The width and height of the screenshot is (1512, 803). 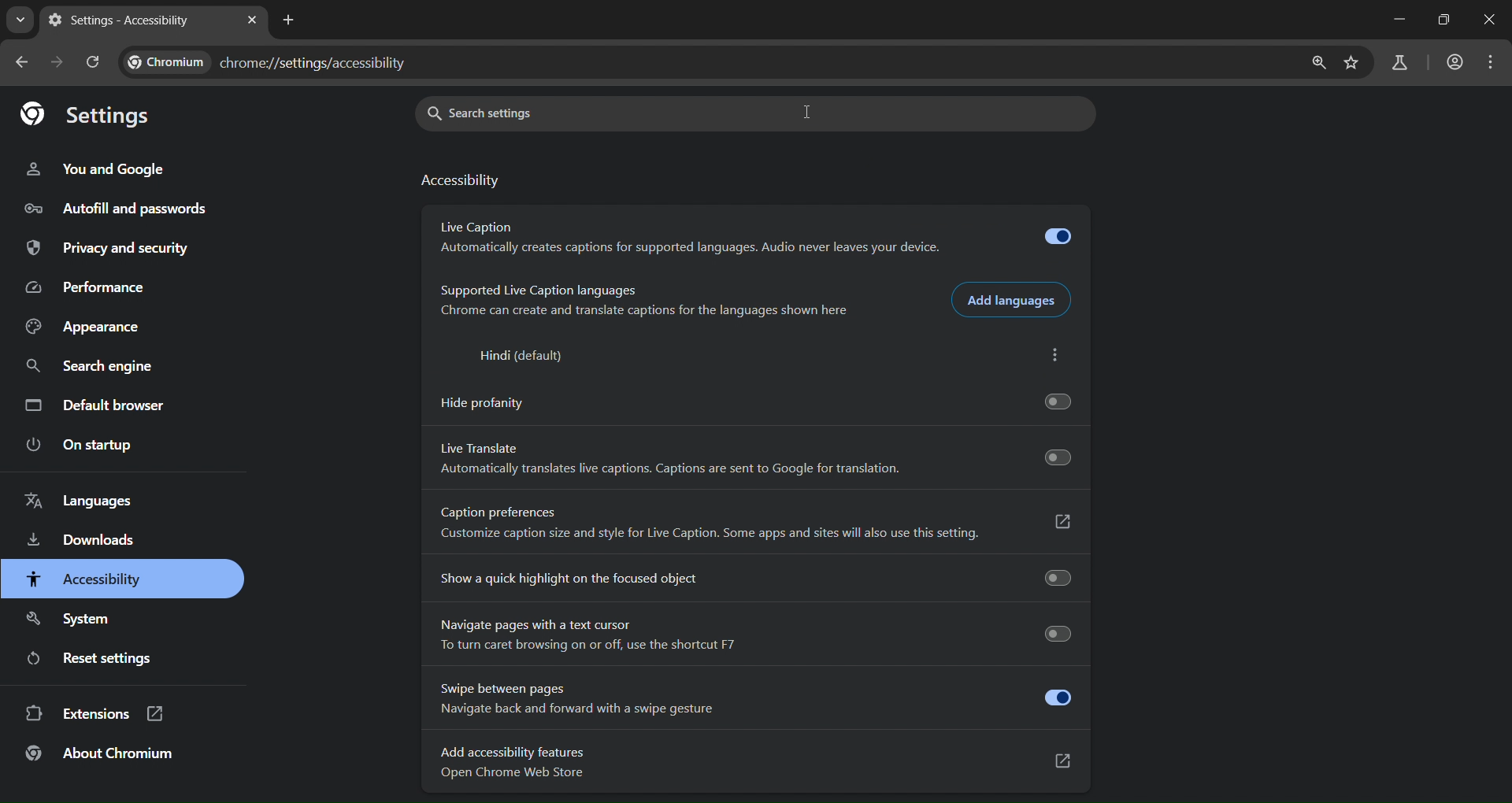 I want to click on appearance, so click(x=85, y=327).